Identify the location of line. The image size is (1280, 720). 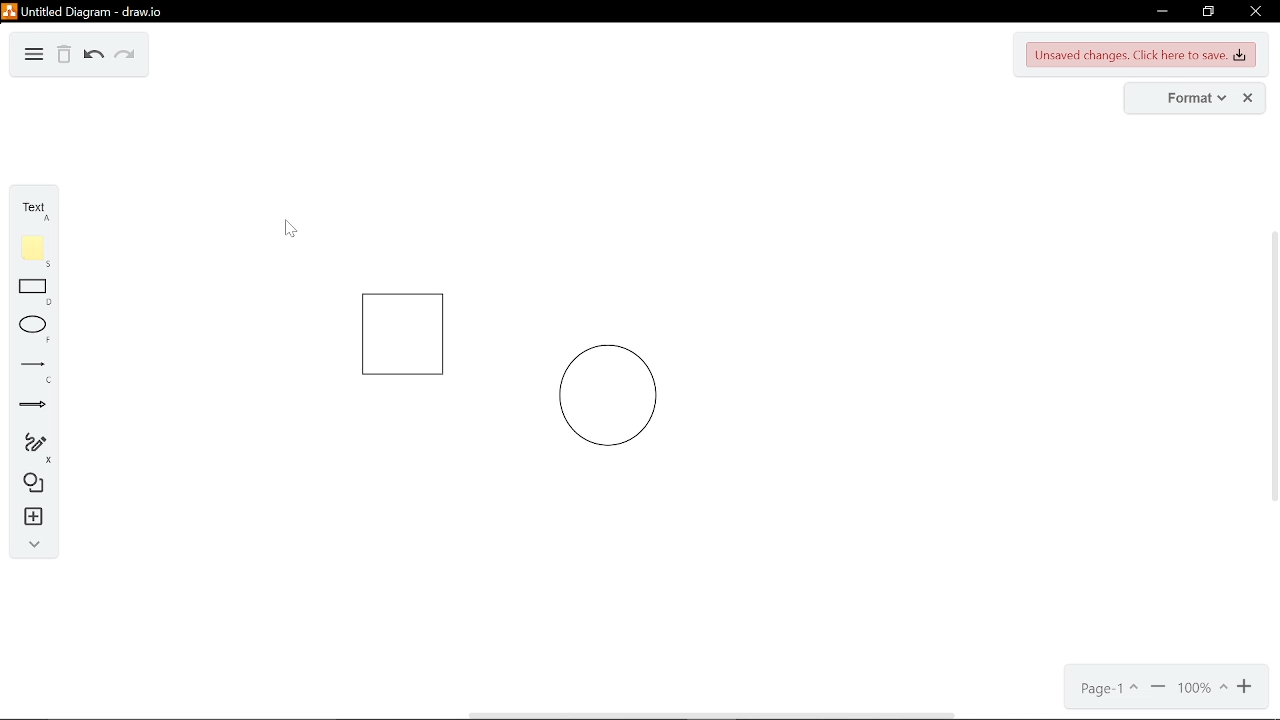
(31, 373).